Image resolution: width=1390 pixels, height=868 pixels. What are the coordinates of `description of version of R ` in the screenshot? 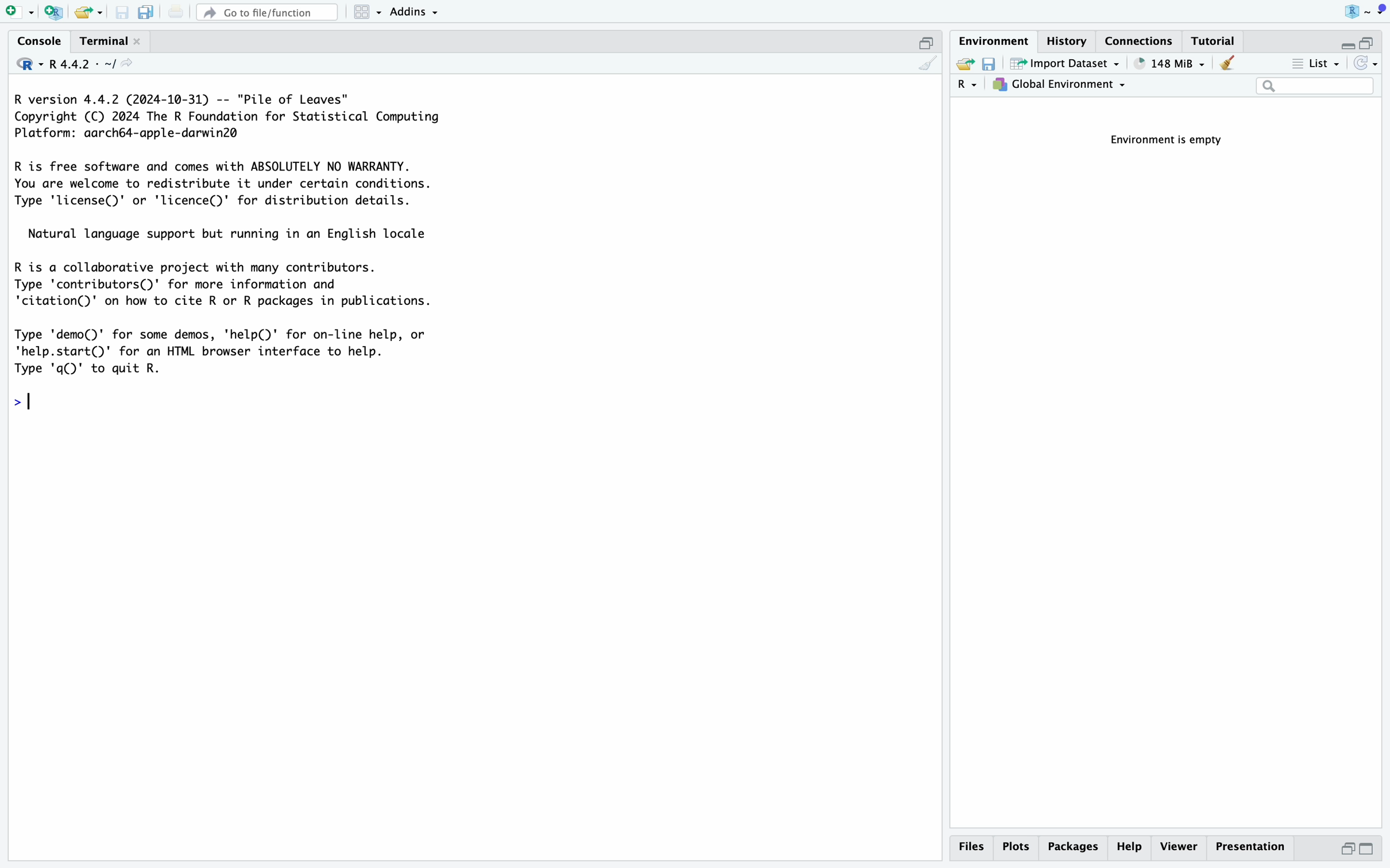 It's located at (222, 116).